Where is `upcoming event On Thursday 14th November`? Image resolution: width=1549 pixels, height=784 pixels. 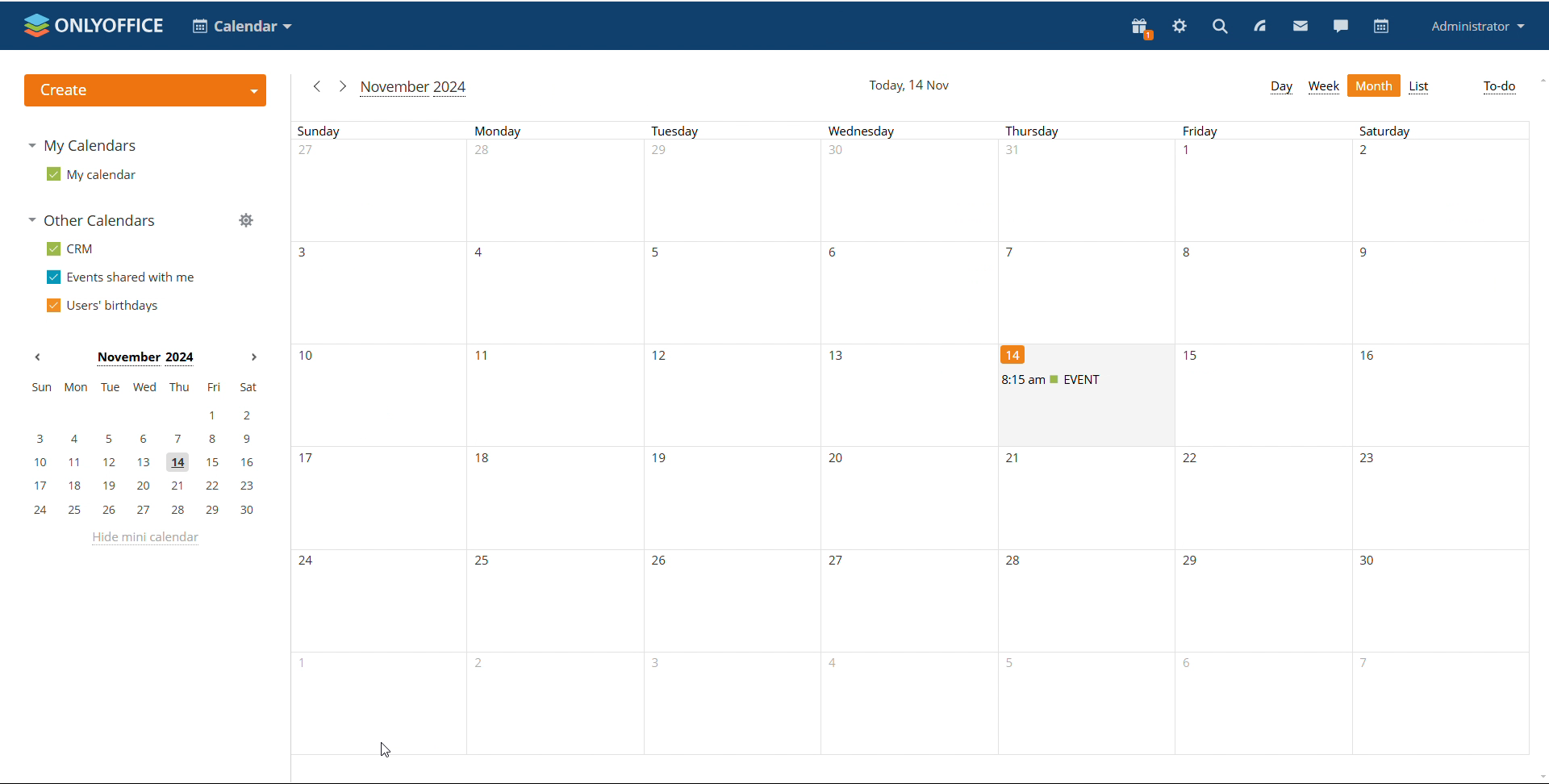 upcoming event On Thursday 14th November is located at coordinates (1087, 380).